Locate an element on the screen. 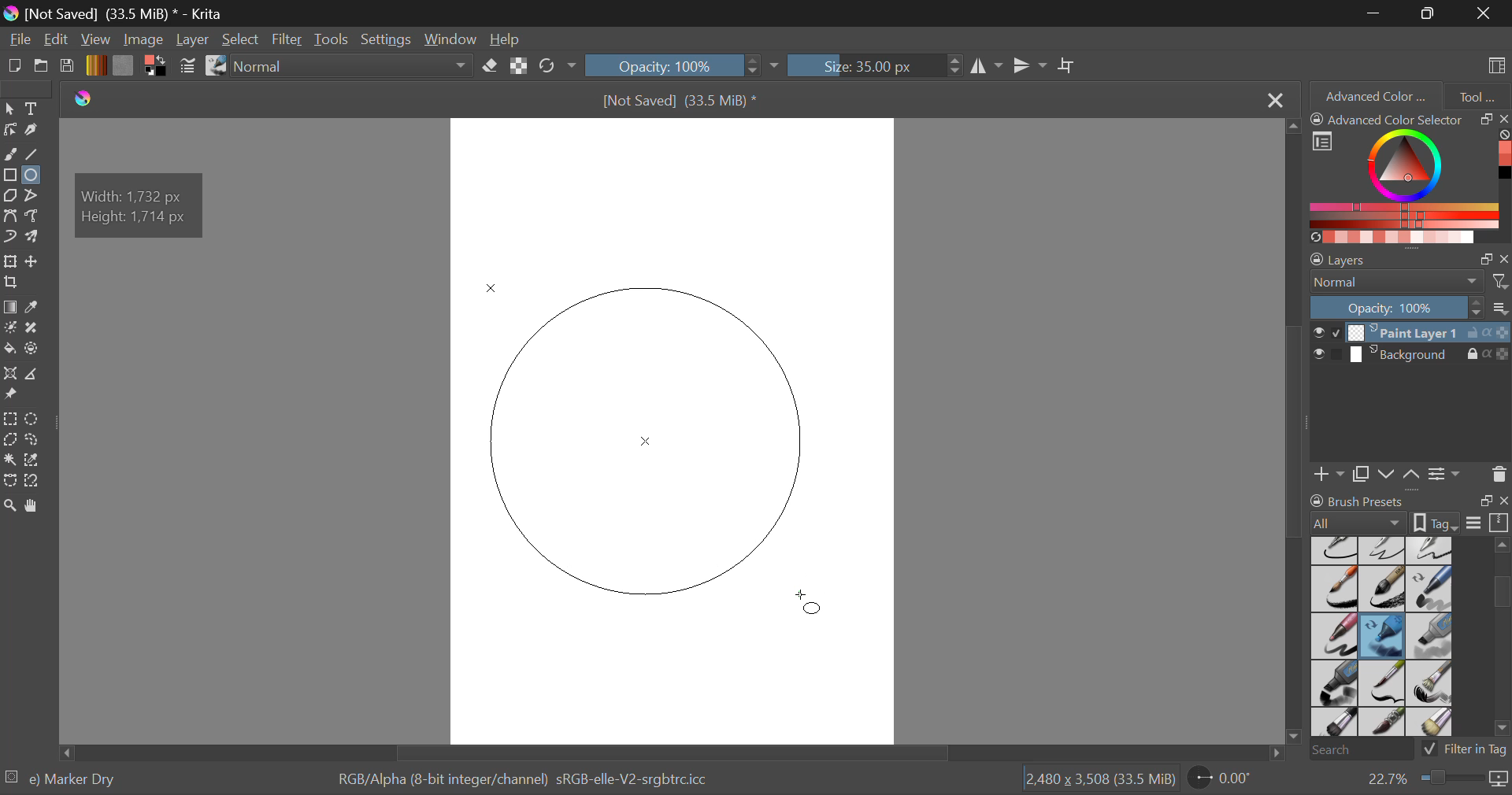  Polyline Tool is located at coordinates (34, 195).